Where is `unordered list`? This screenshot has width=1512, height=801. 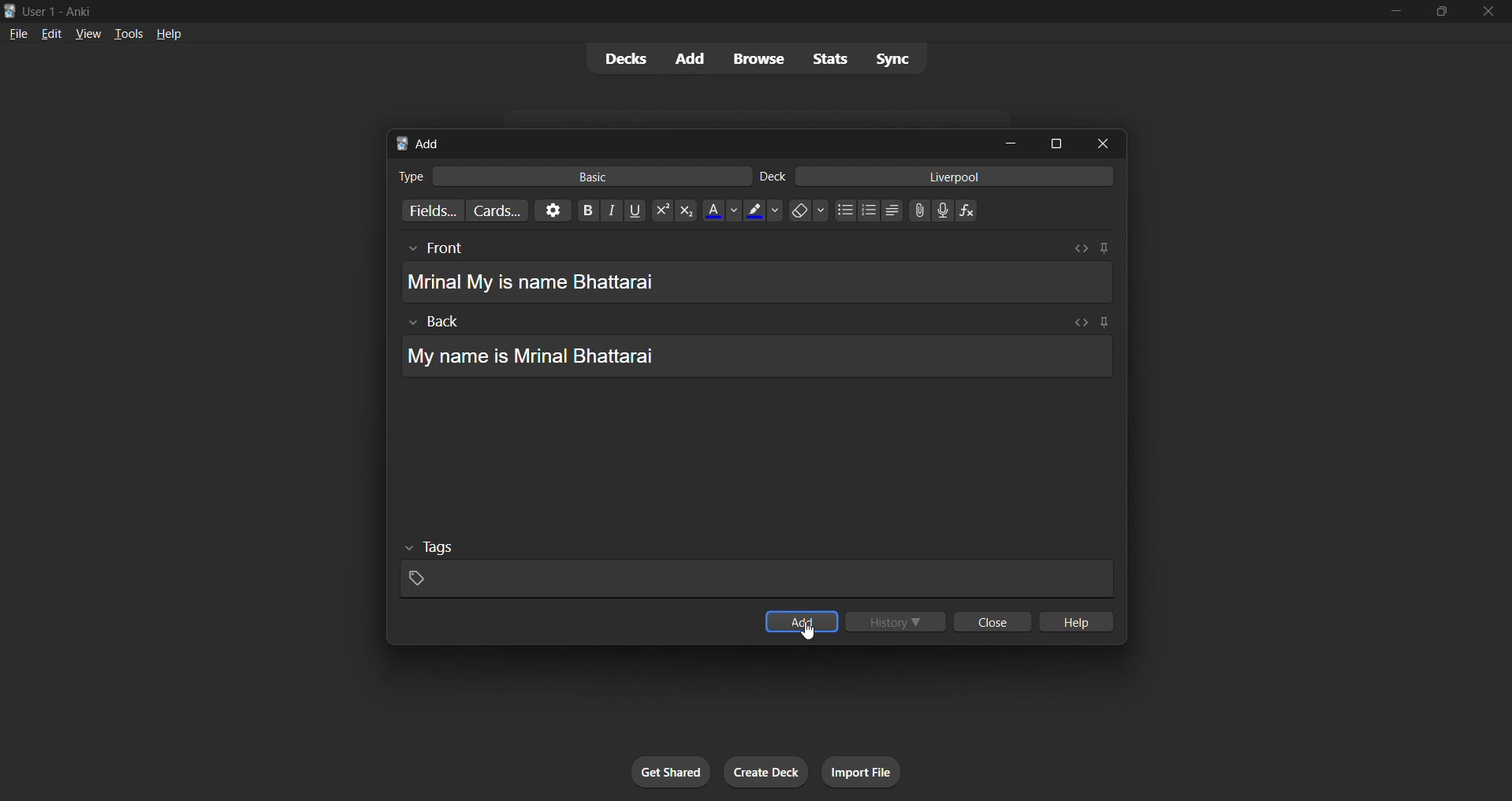 unordered list is located at coordinates (888, 212).